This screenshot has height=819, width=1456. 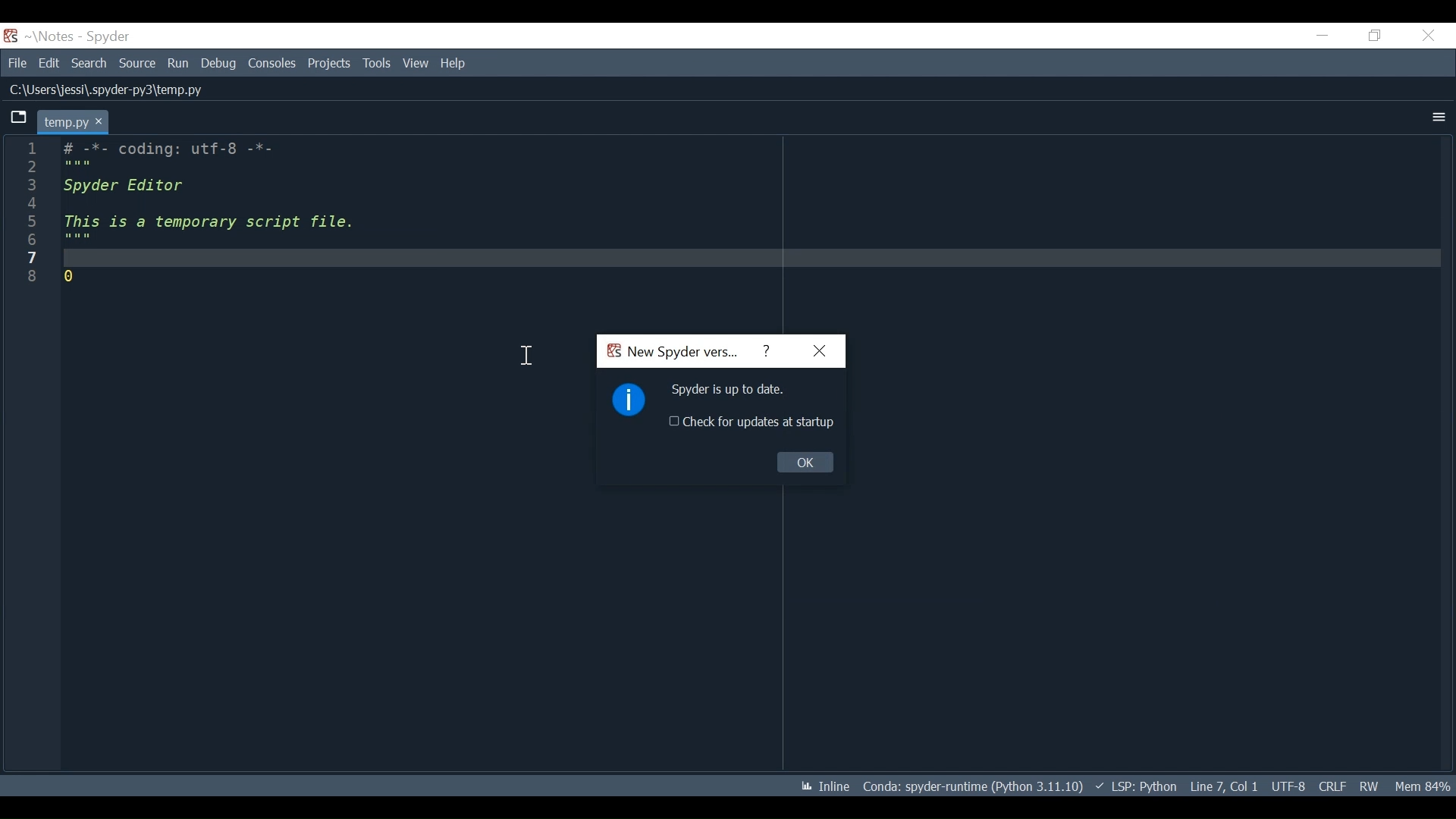 I want to click on Memory Usage, so click(x=1425, y=786).